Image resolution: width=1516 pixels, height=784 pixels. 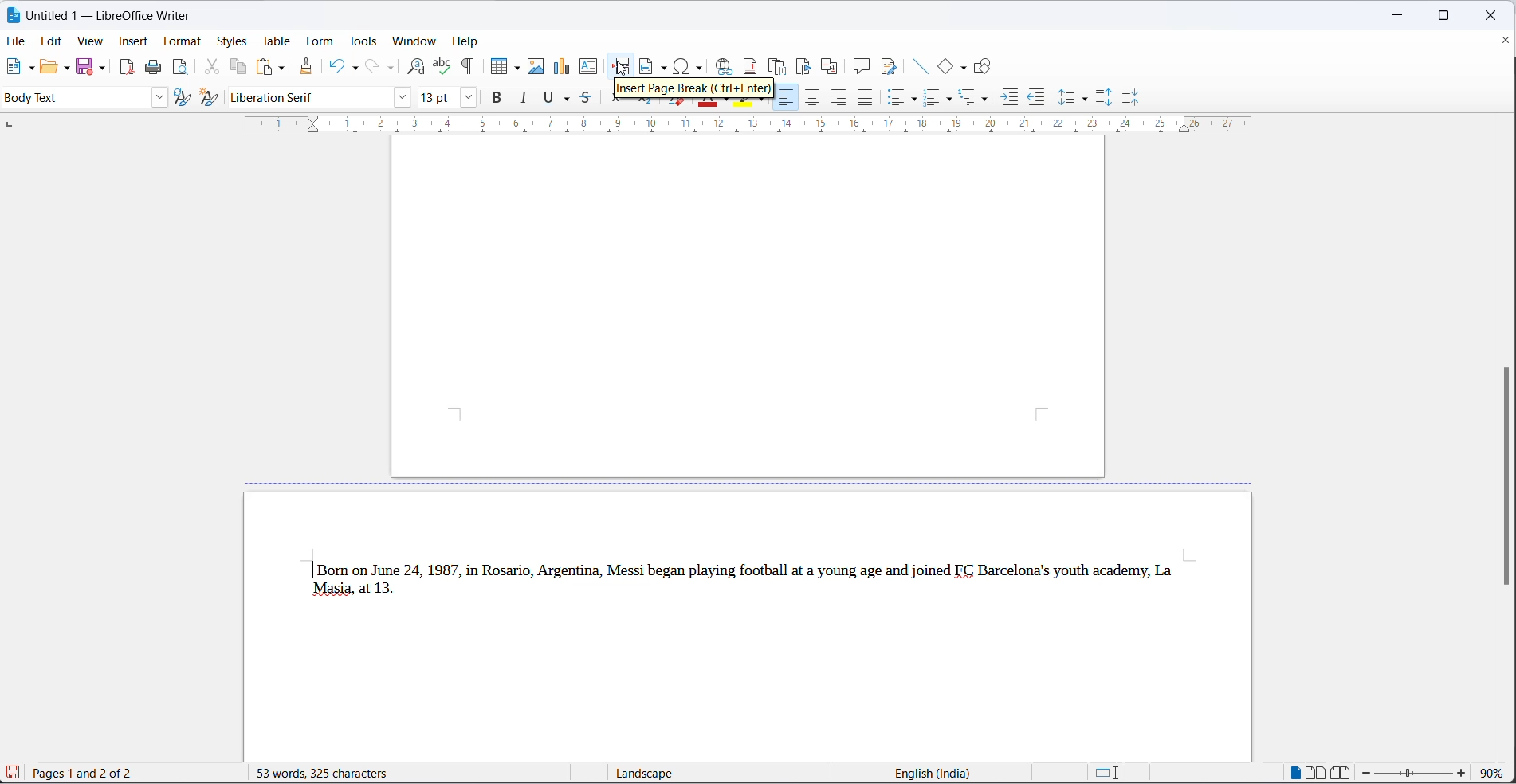 What do you see at coordinates (978, 98) in the screenshot?
I see `select outline format` at bounding box center [978, 98].